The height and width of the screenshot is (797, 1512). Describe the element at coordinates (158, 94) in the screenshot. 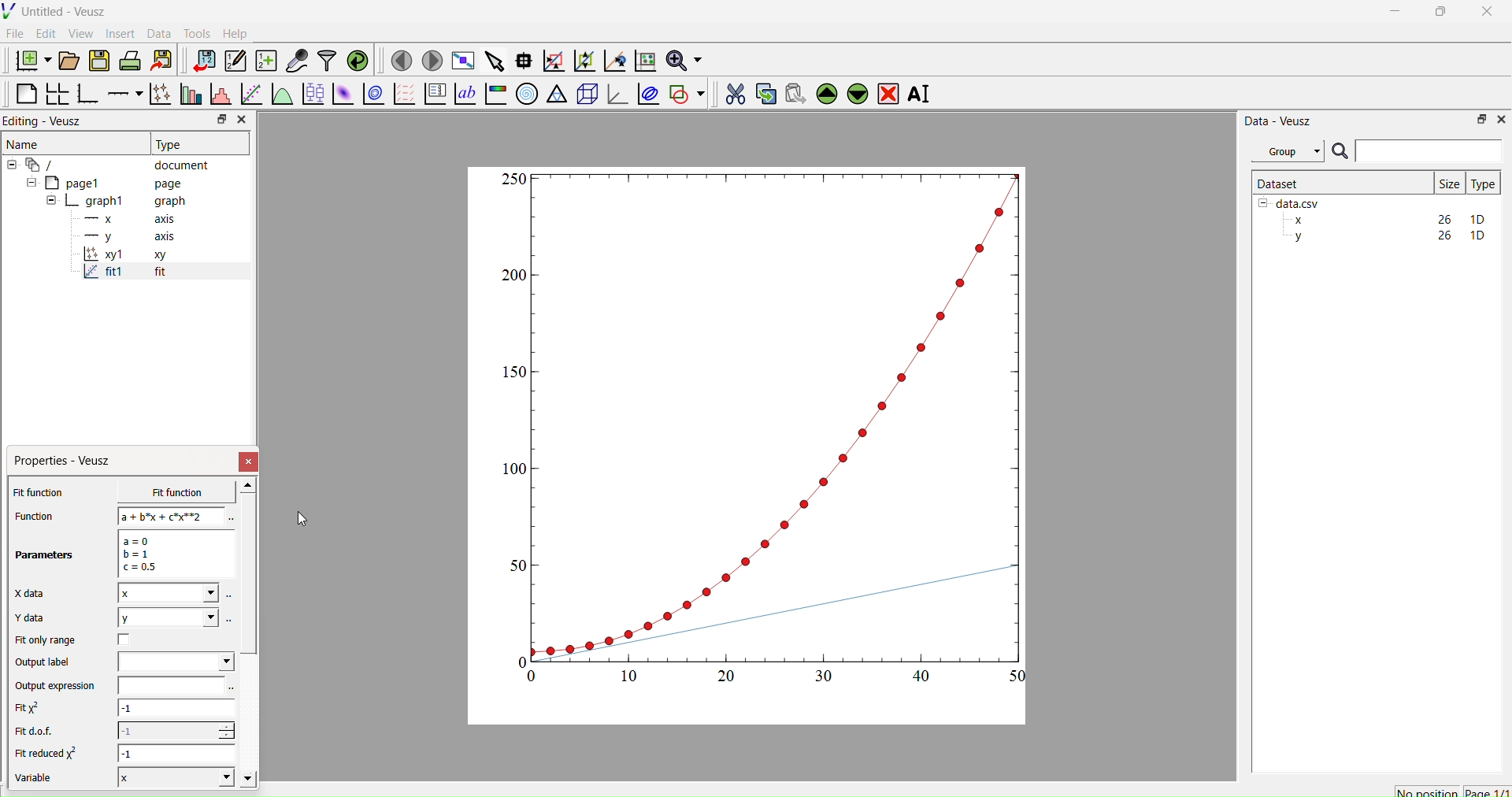

I see `Plot points with lines and errorbars` at that location.